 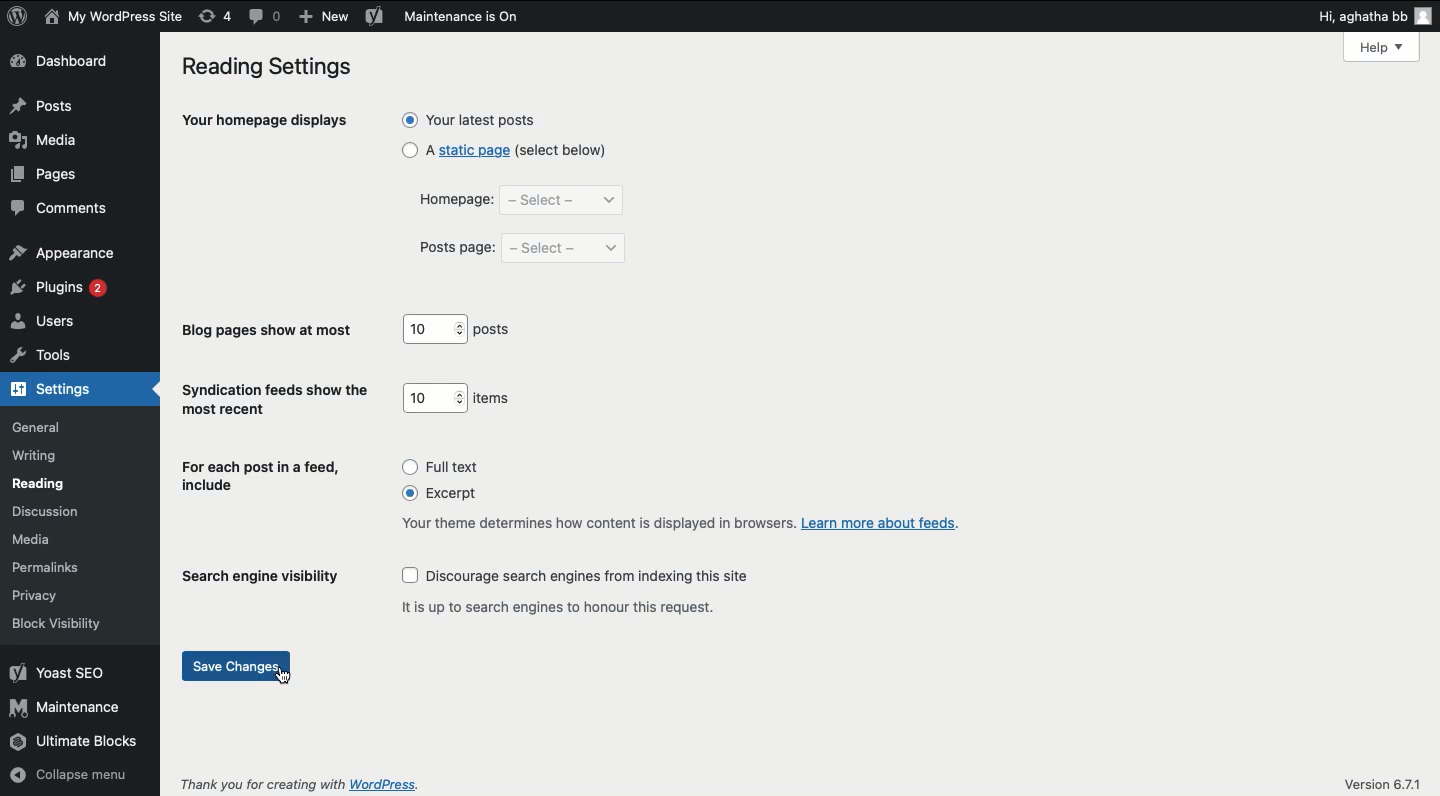 What do you see at coordinates (50, 323) in the screenshot?
I see `users` at bounding box center [50, 323].